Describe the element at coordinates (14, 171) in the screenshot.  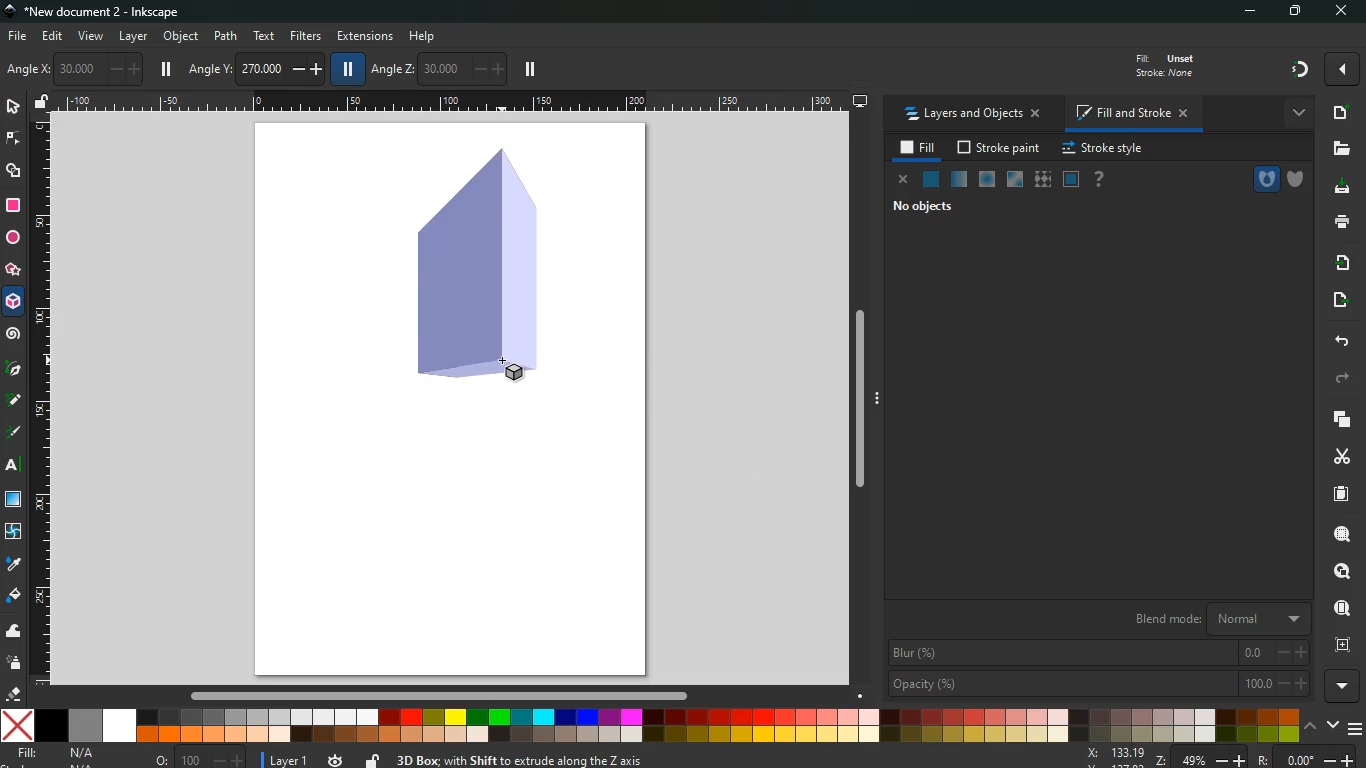
I see `shapes` at that location.